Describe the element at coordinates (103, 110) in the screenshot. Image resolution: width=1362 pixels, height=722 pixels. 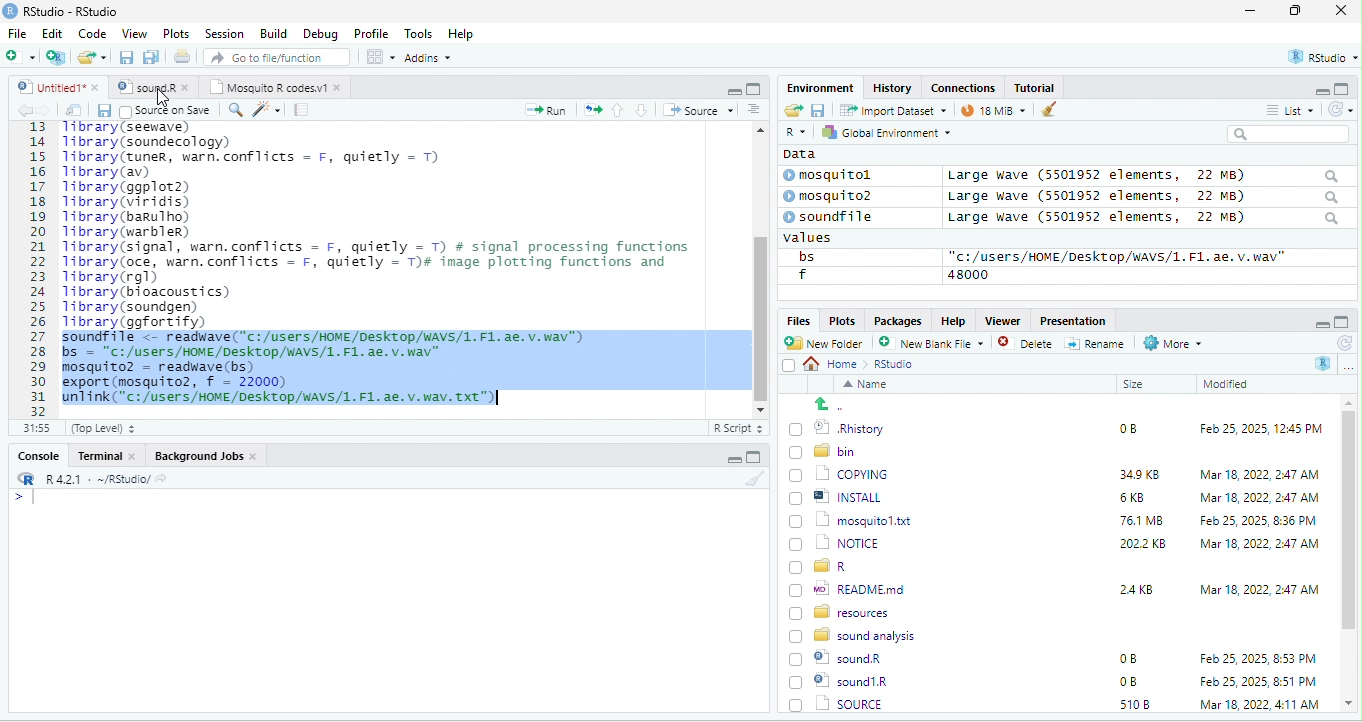
I see `save` at that location.